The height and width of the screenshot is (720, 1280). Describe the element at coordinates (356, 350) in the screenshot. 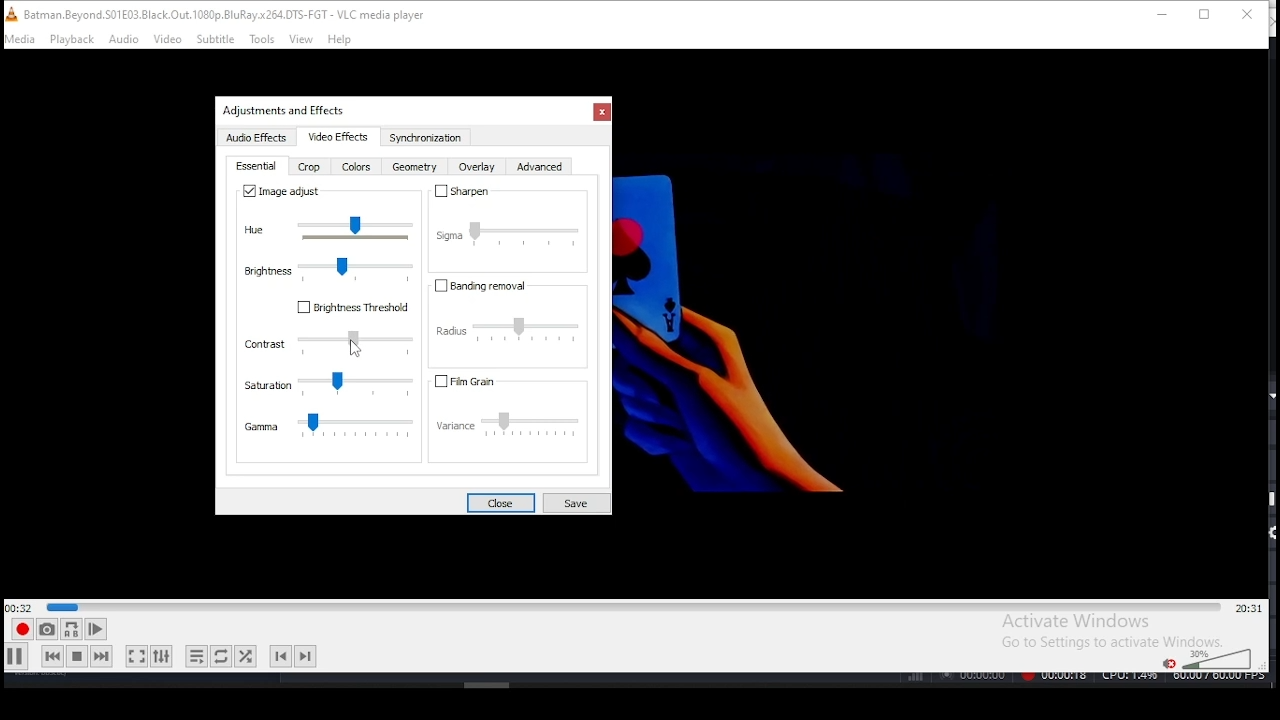

I see `` at that location.